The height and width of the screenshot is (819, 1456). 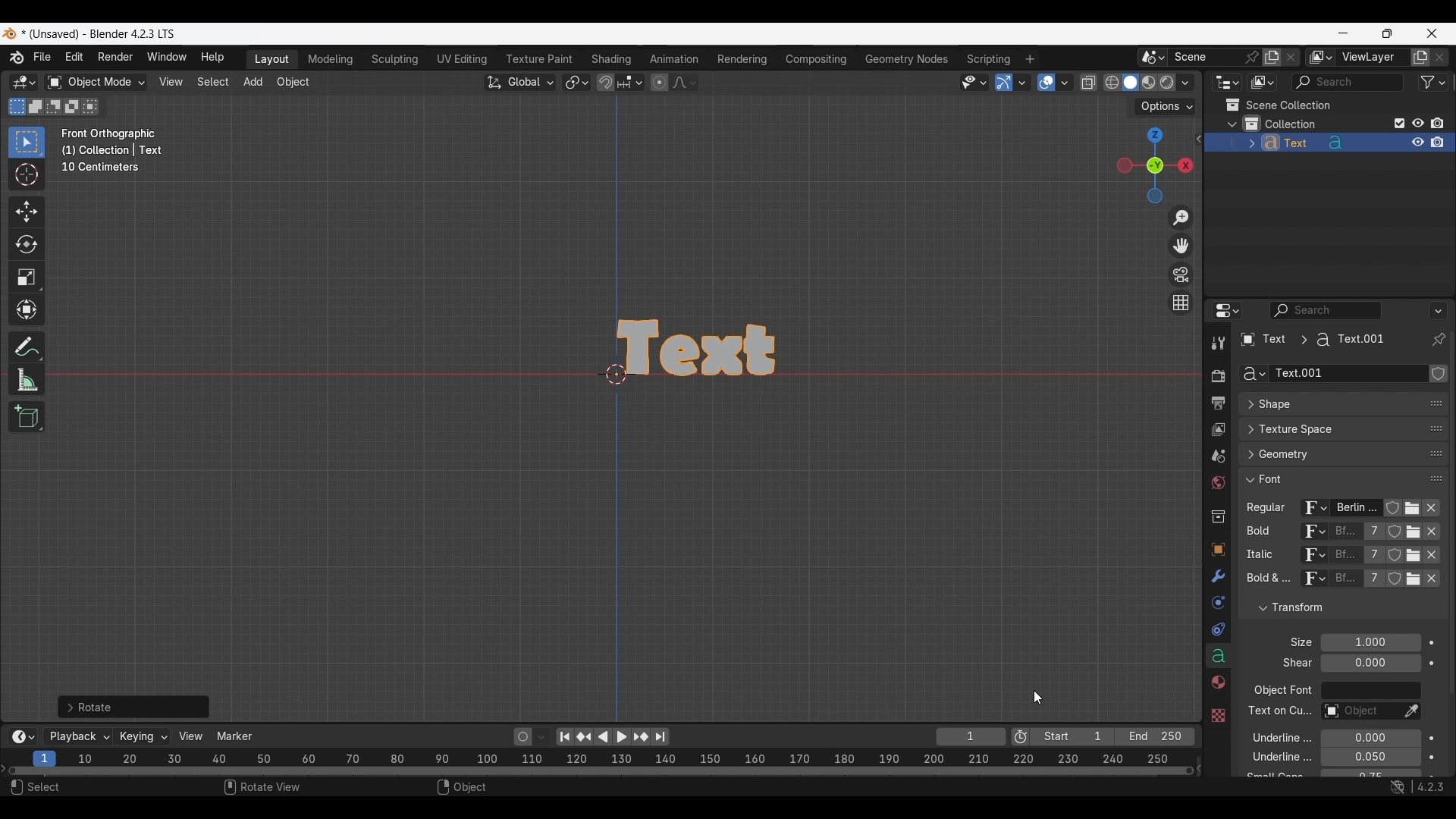 What do you see at coordinates (1400, 123) in the screenshot?
I see `Exclude from view layer` at bounding box center [1400, 123].